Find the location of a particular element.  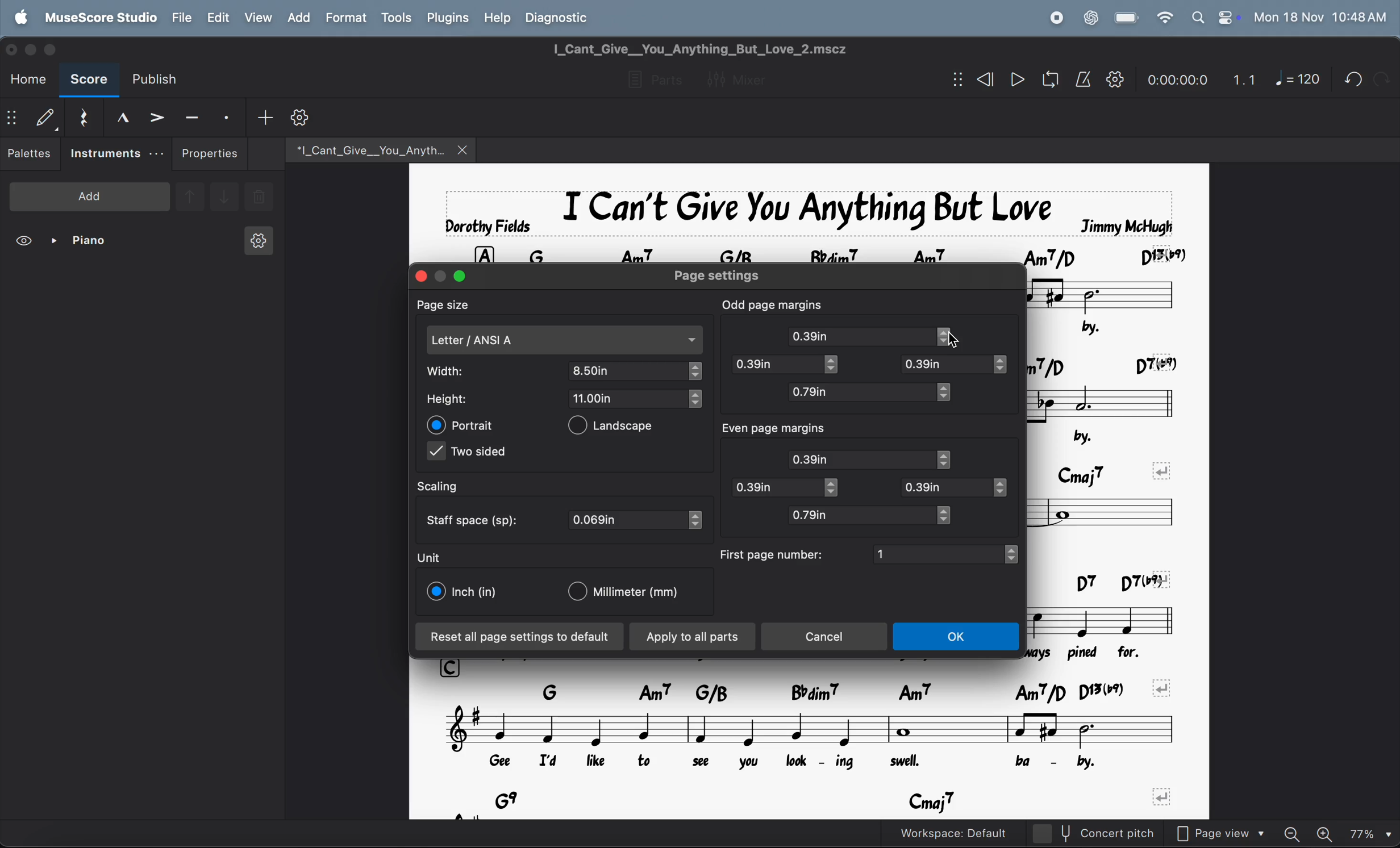

8.50 in is located at coordinates (628, 370).